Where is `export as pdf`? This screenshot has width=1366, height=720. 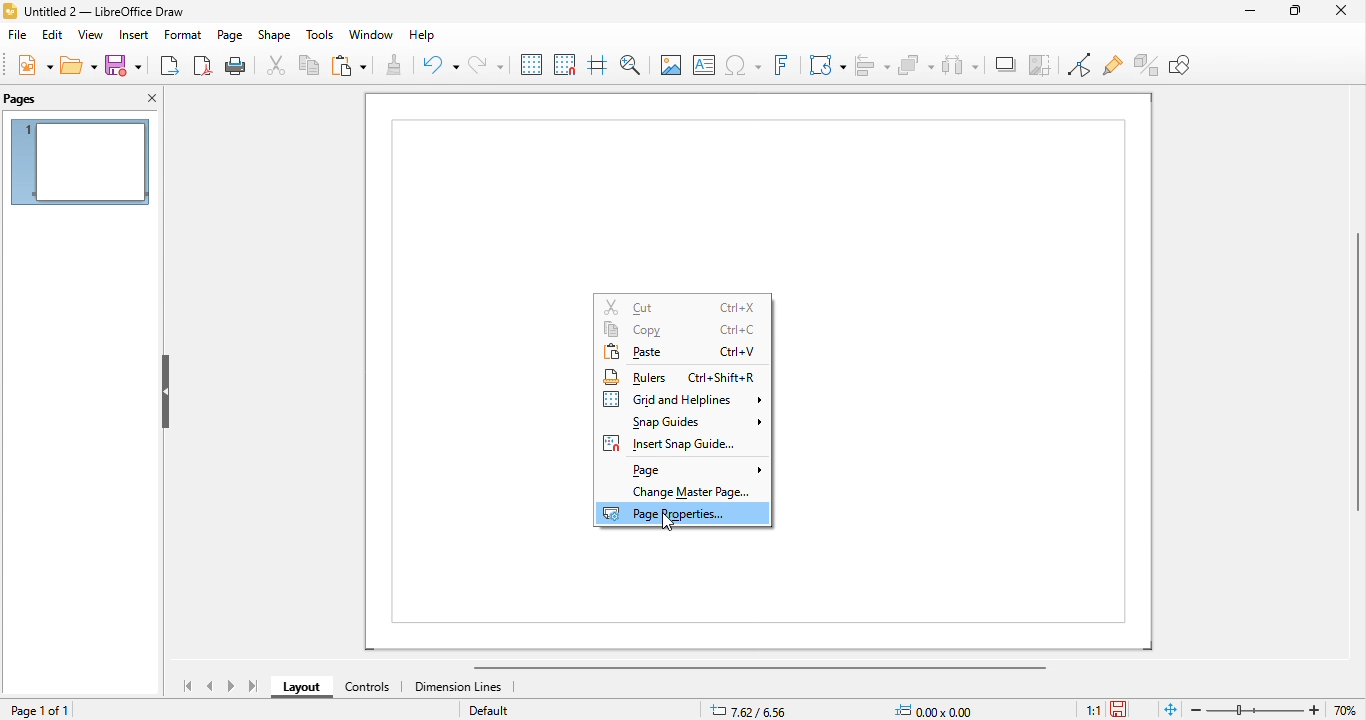 export as pdf is located at coordinates (204, 66).